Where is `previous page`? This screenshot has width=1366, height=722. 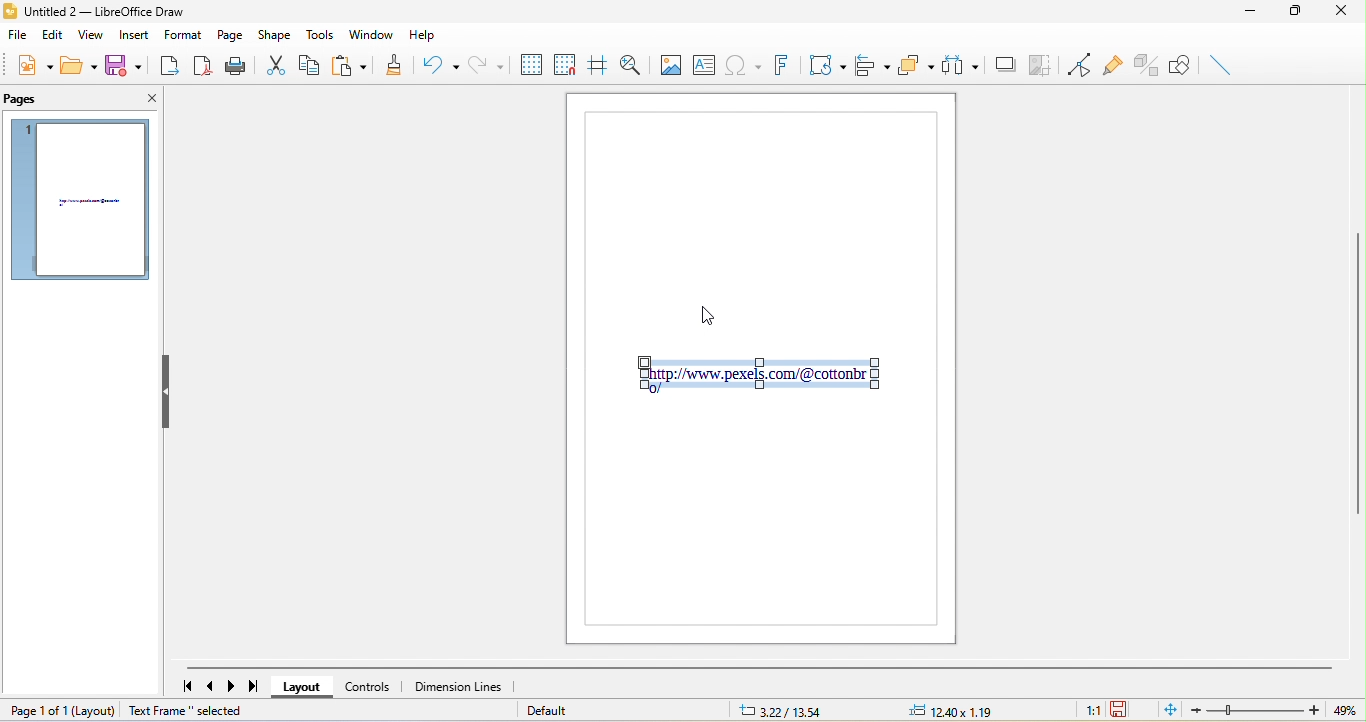 previous page is located at coordinates (212, 688).